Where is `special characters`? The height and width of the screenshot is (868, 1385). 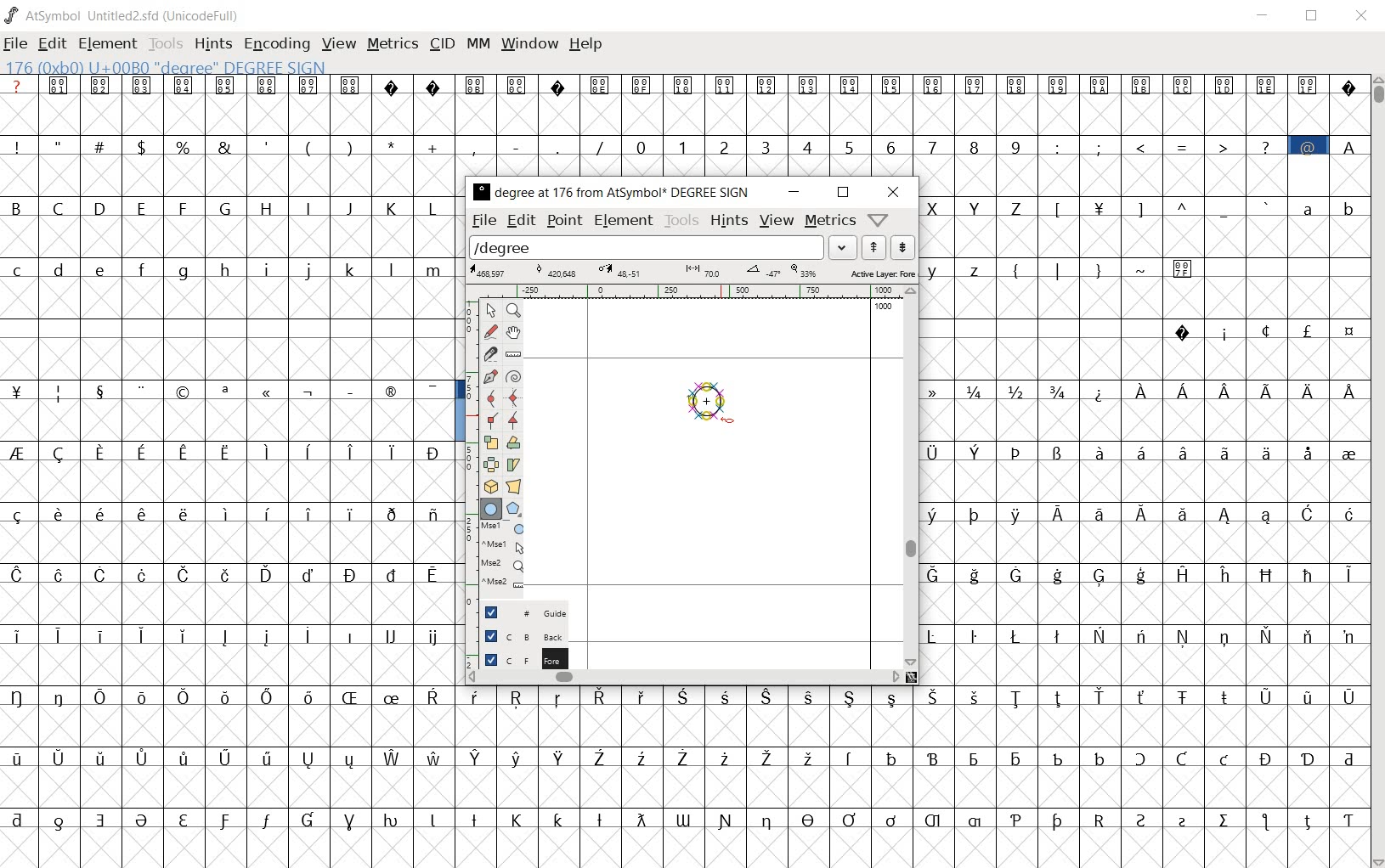 special characters is located at coordinates (1162, 146).